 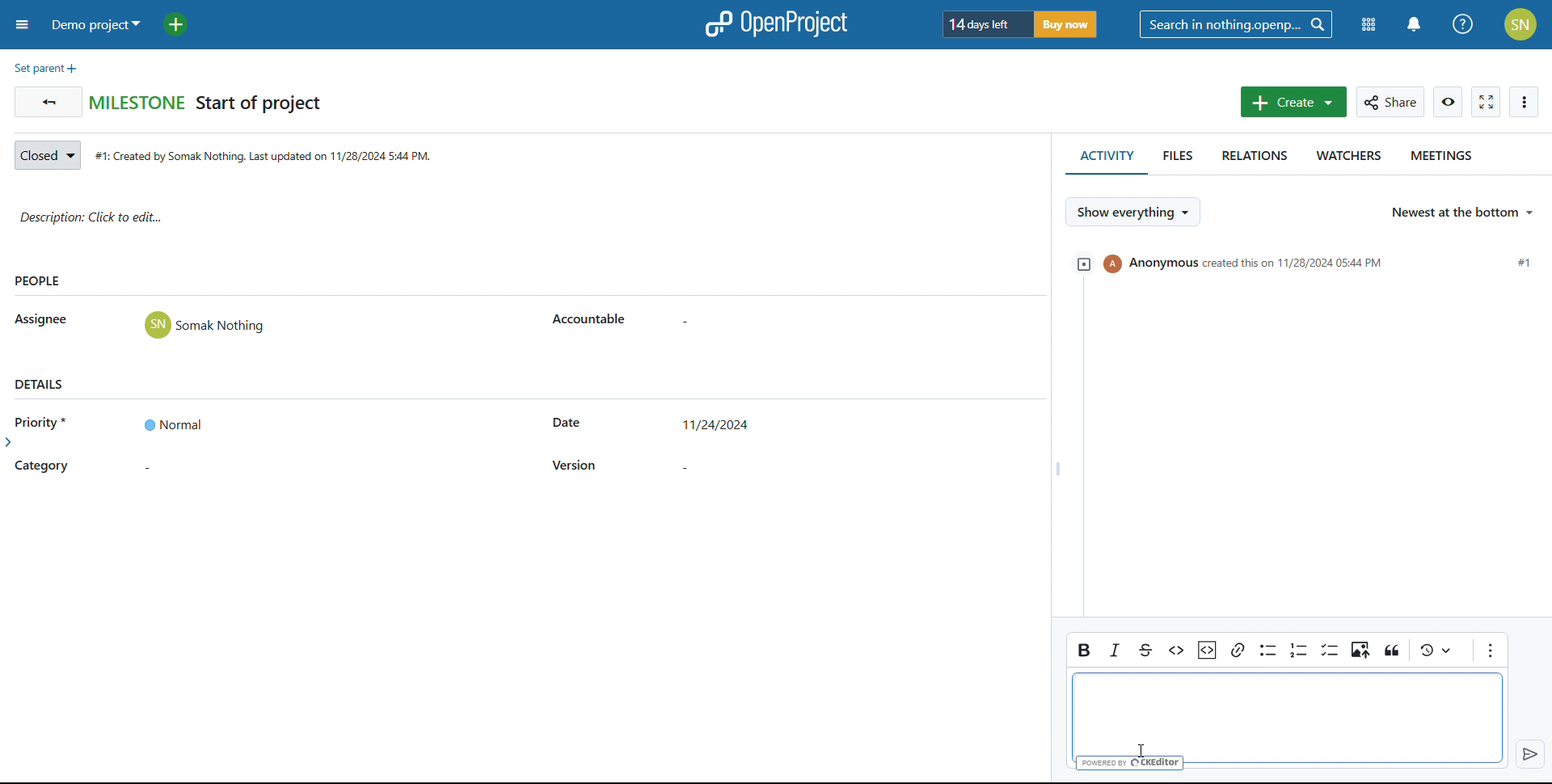 What do you see at coordinates (23, 24) in the screenshot?
I see `open sidebar menu` at bounding box center [23, 24].